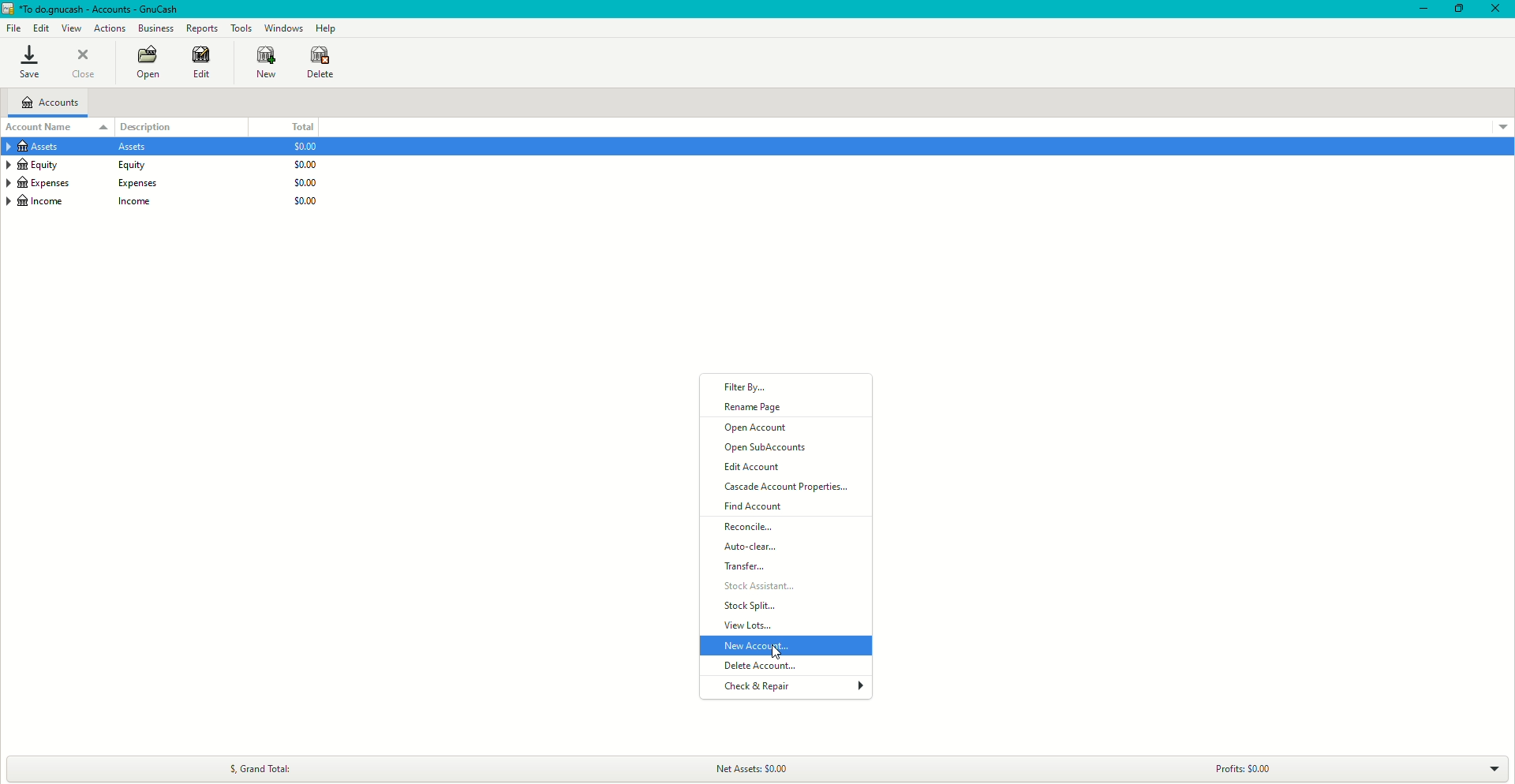  I want to click on Equity, so click(84, 166).